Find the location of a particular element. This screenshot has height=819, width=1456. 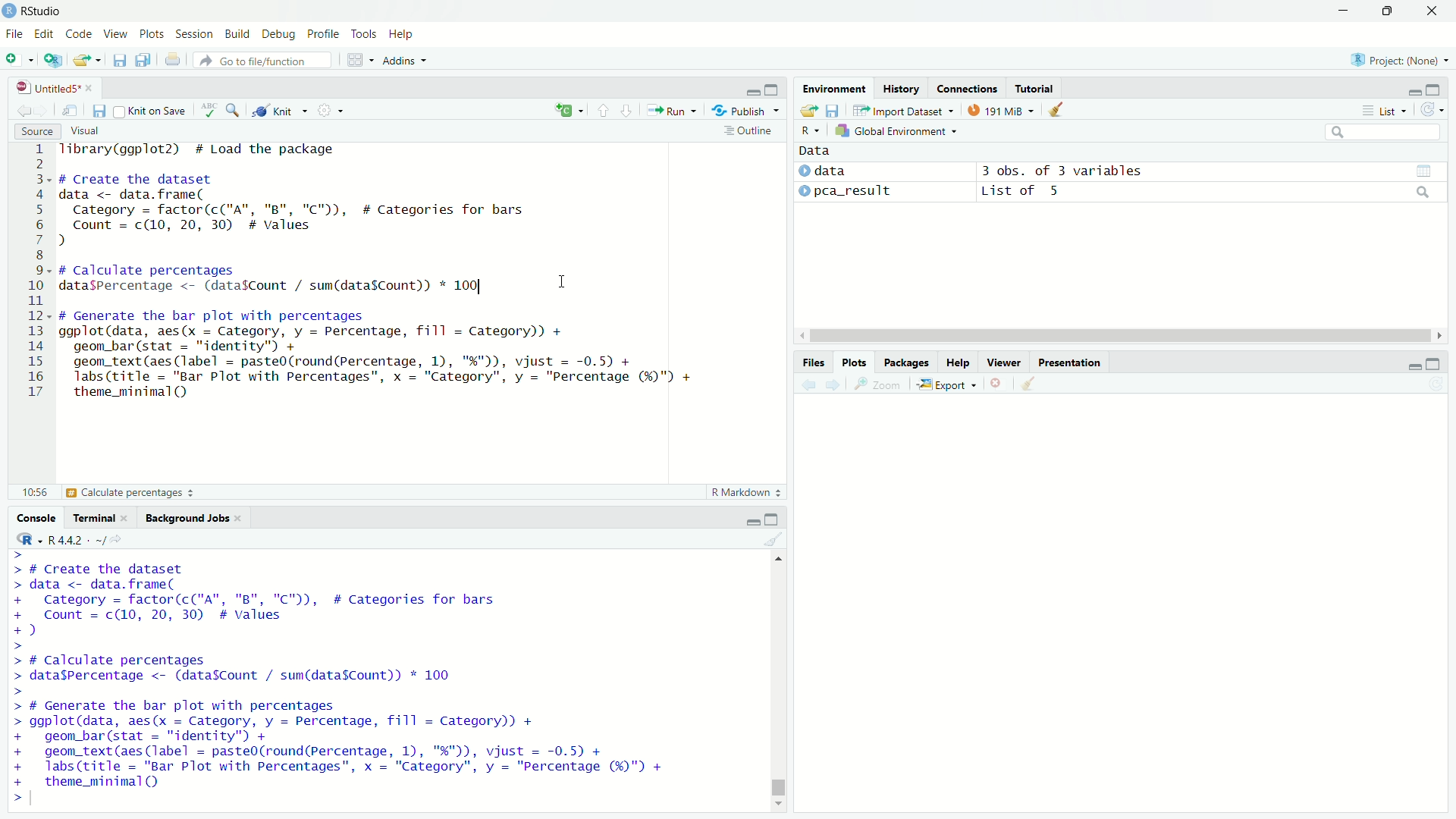

terminal is located at coordinates (100, 517).